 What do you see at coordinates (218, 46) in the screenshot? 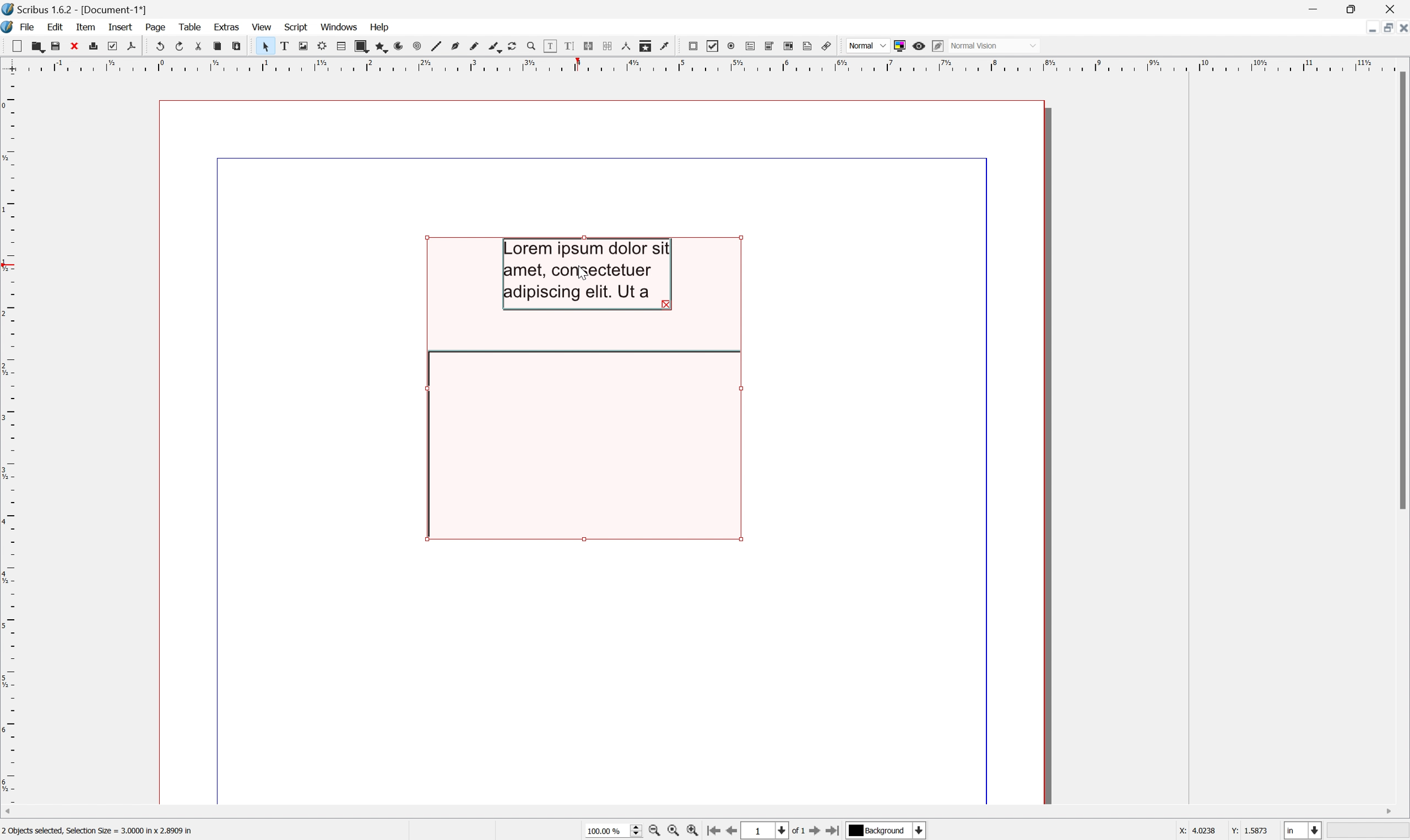
I see `Copy` at bounding box center [218, 46].